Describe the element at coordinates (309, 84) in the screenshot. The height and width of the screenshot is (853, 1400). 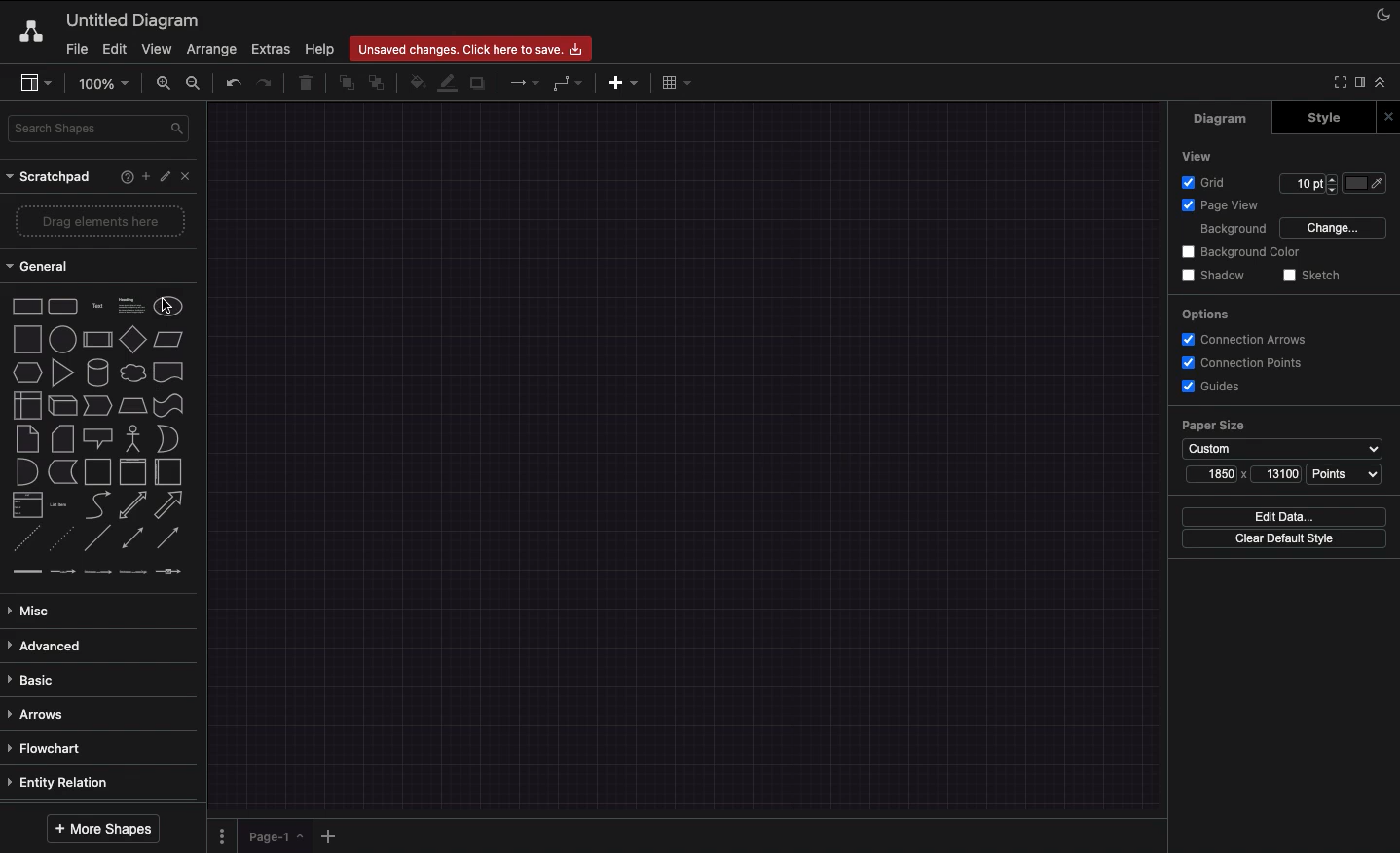
I see `Trash` at that location.